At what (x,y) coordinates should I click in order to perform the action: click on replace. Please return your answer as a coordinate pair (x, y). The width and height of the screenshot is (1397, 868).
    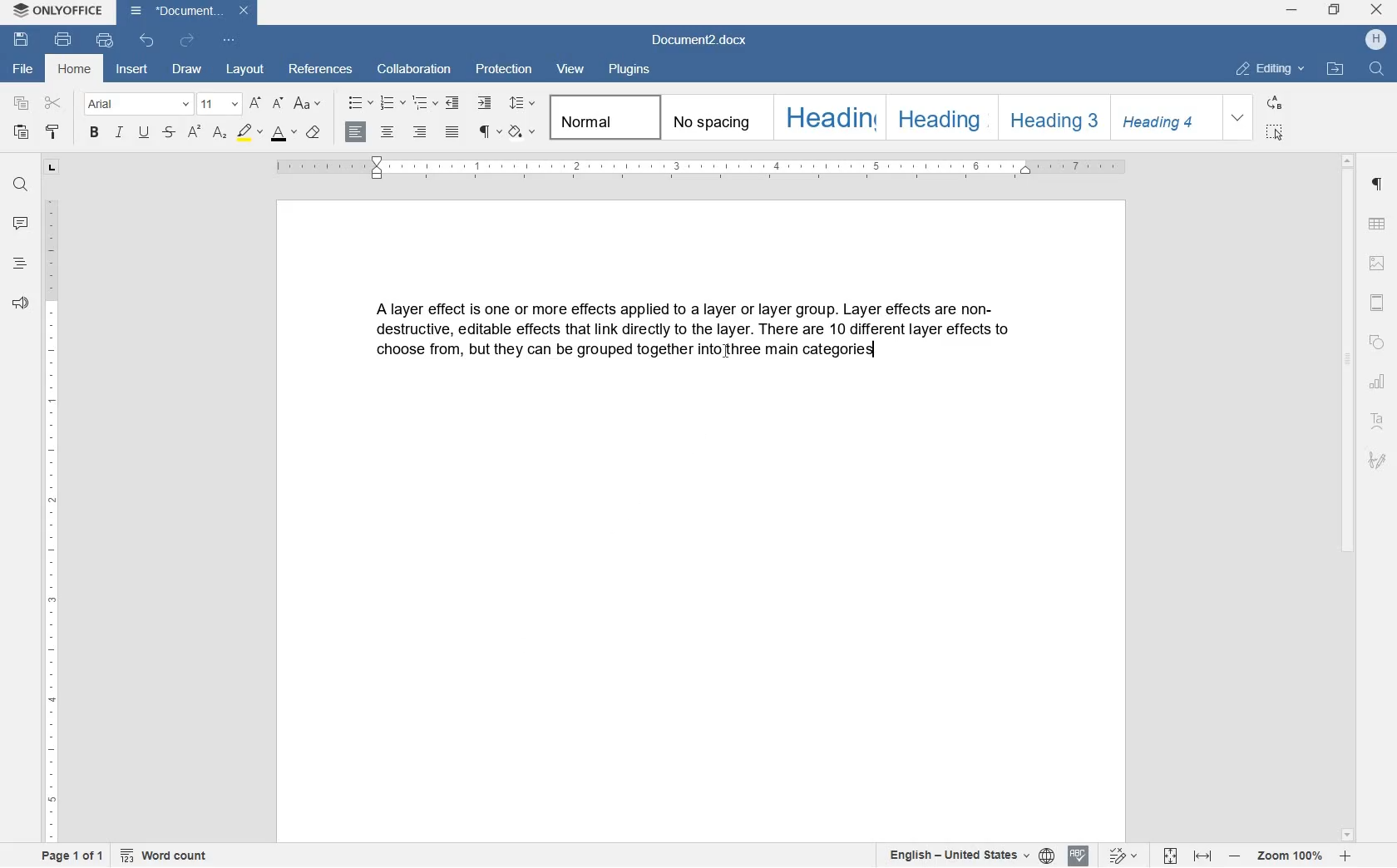
    Looking at the image, I should click on (1276, 104).